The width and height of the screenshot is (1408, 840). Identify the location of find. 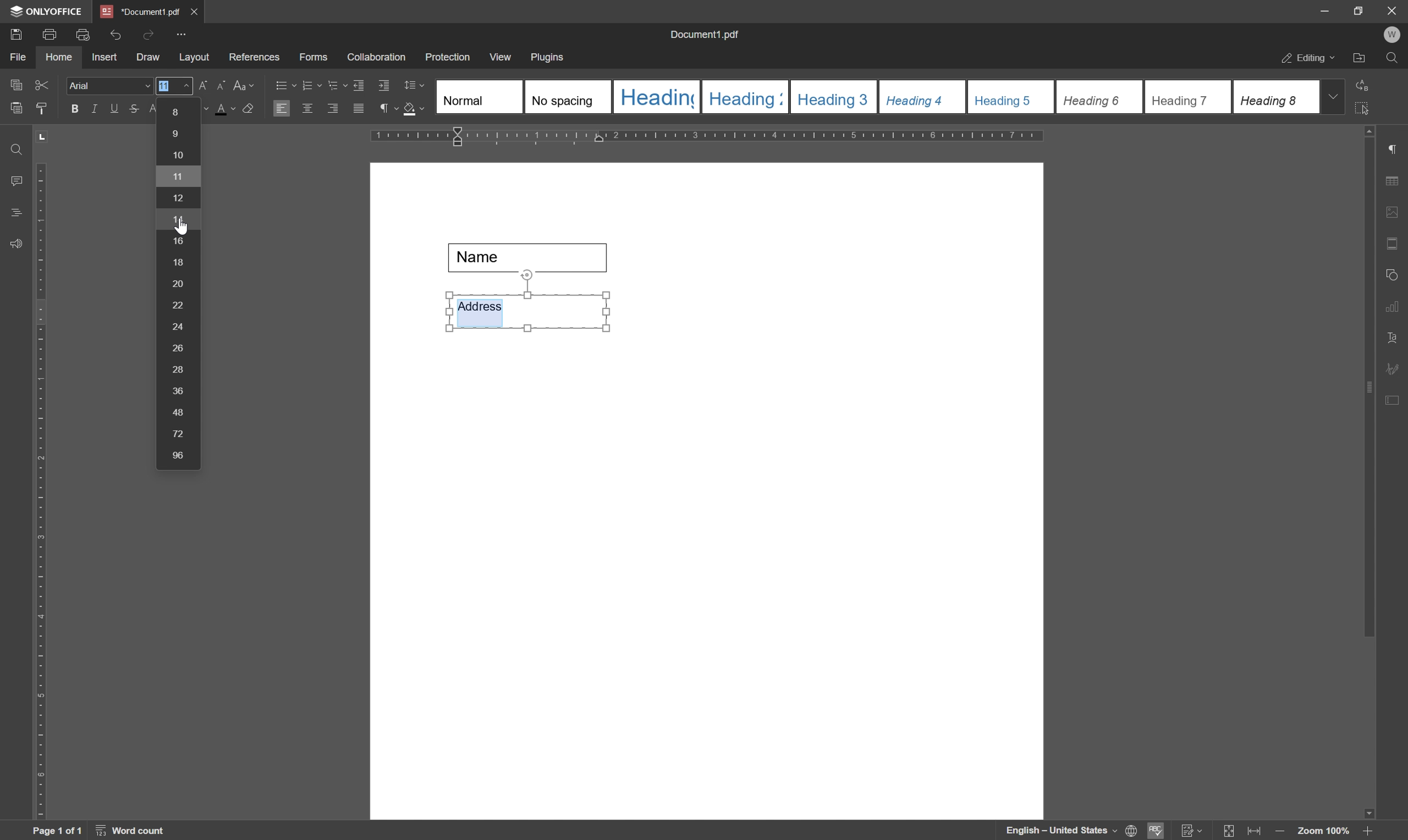
(1395, 61).